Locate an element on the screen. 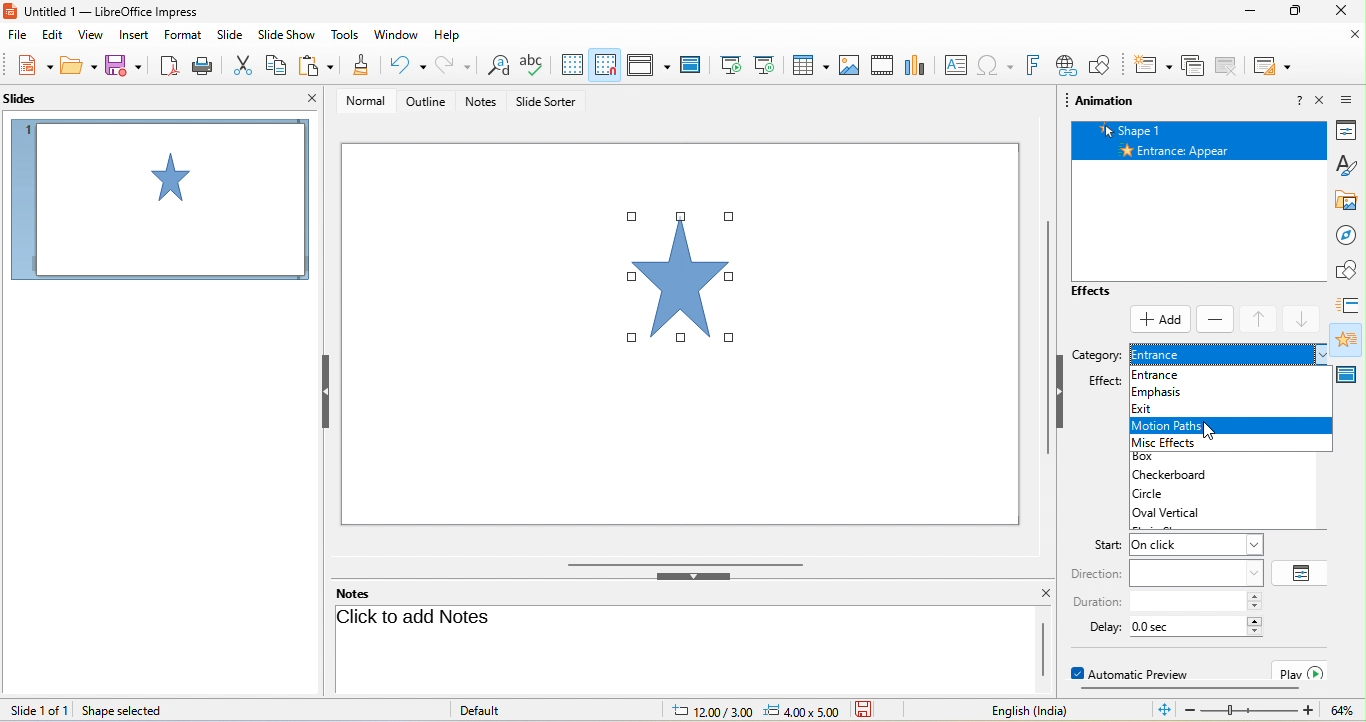 The width and height of the screenshot is (1366, 722). input start instruction is located at coordinates (1195, 545).